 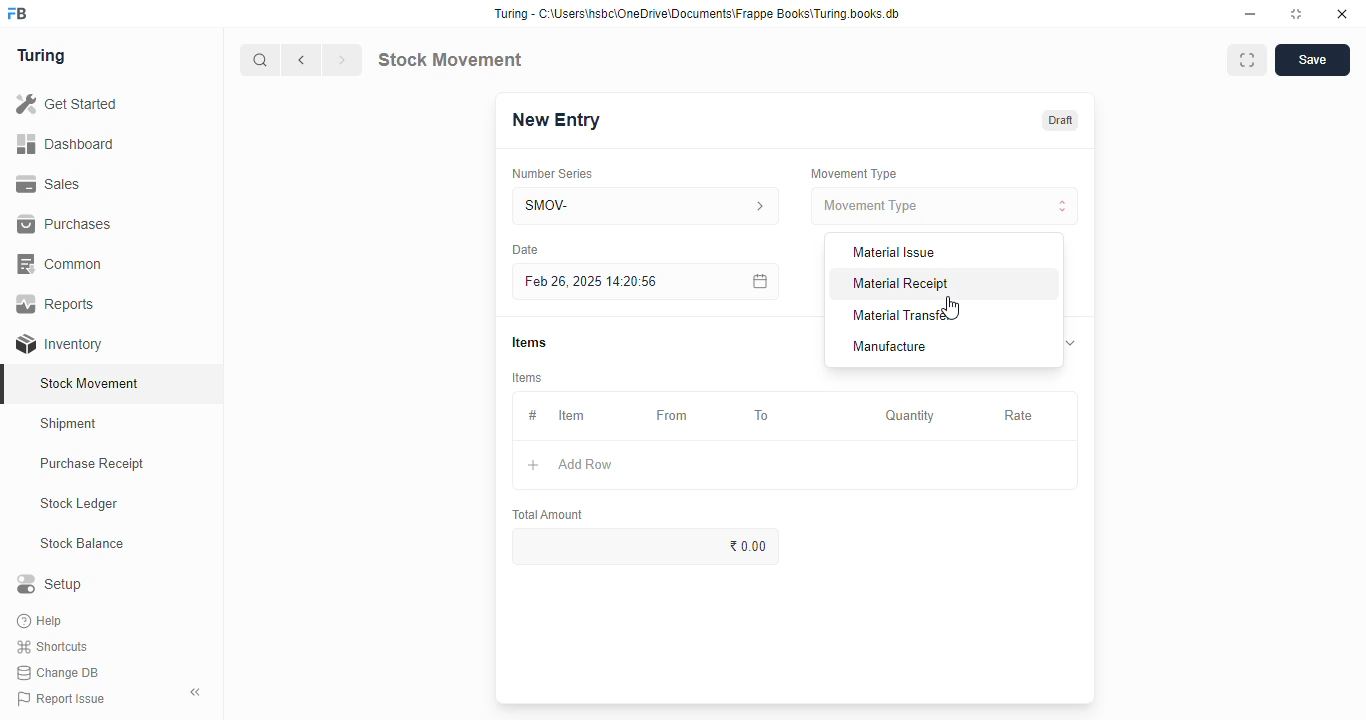 I want to click on from, so click(x=673, y=416).